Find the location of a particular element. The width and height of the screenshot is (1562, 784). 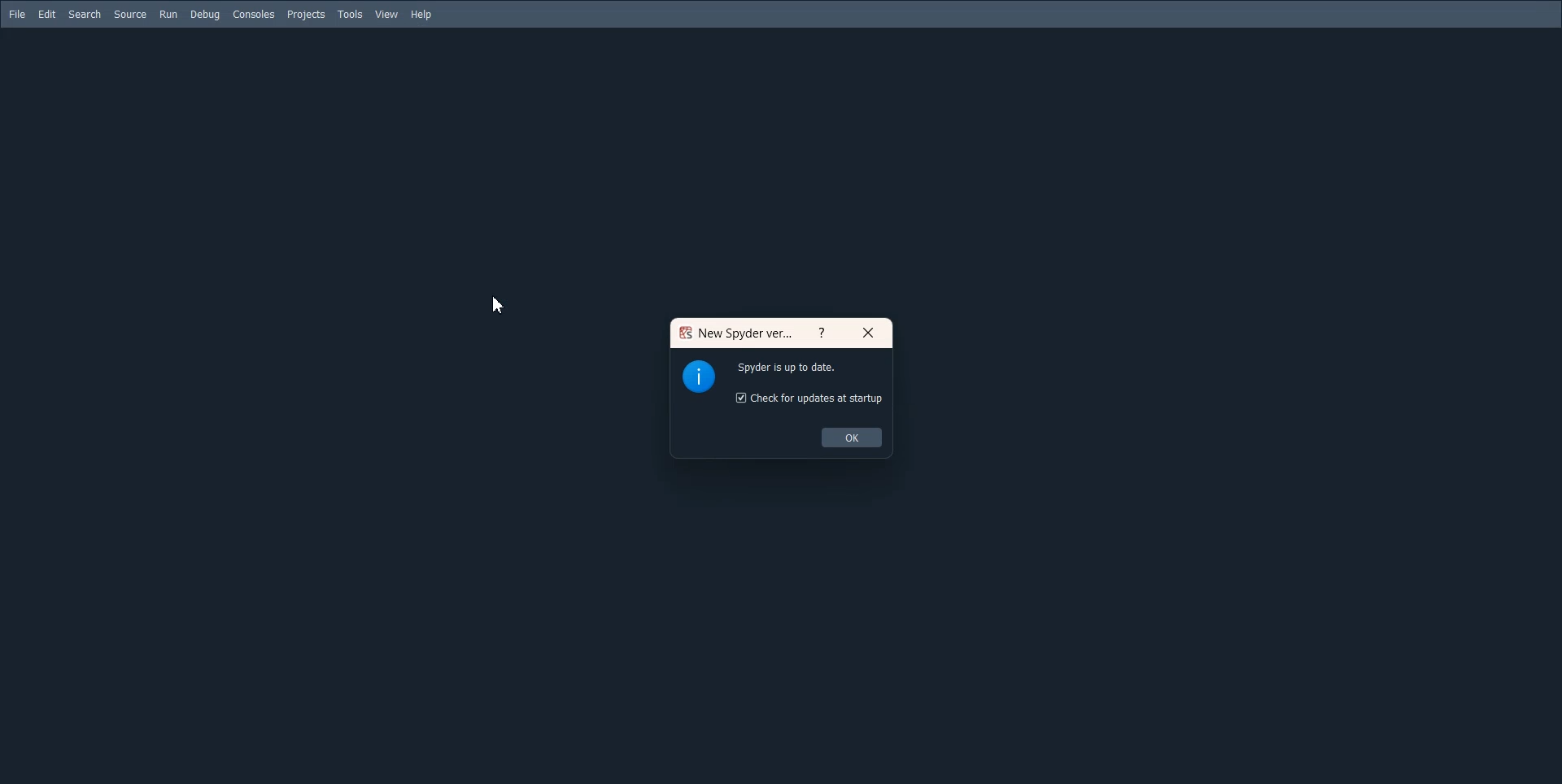

Cursor is located at coordinates (497, 306).